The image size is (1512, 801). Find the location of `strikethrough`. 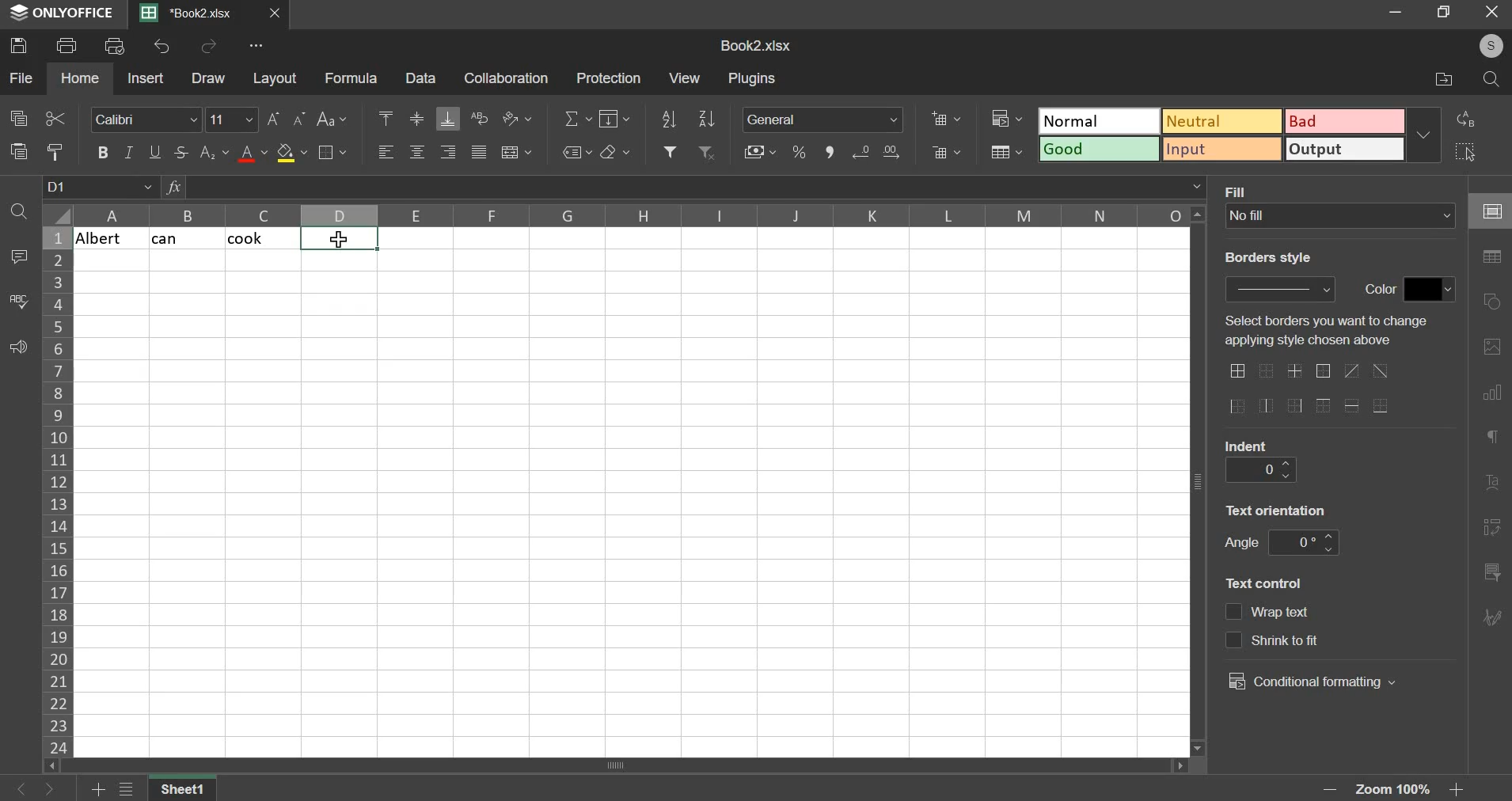

strikethrough is located at coordinates (180, 152).